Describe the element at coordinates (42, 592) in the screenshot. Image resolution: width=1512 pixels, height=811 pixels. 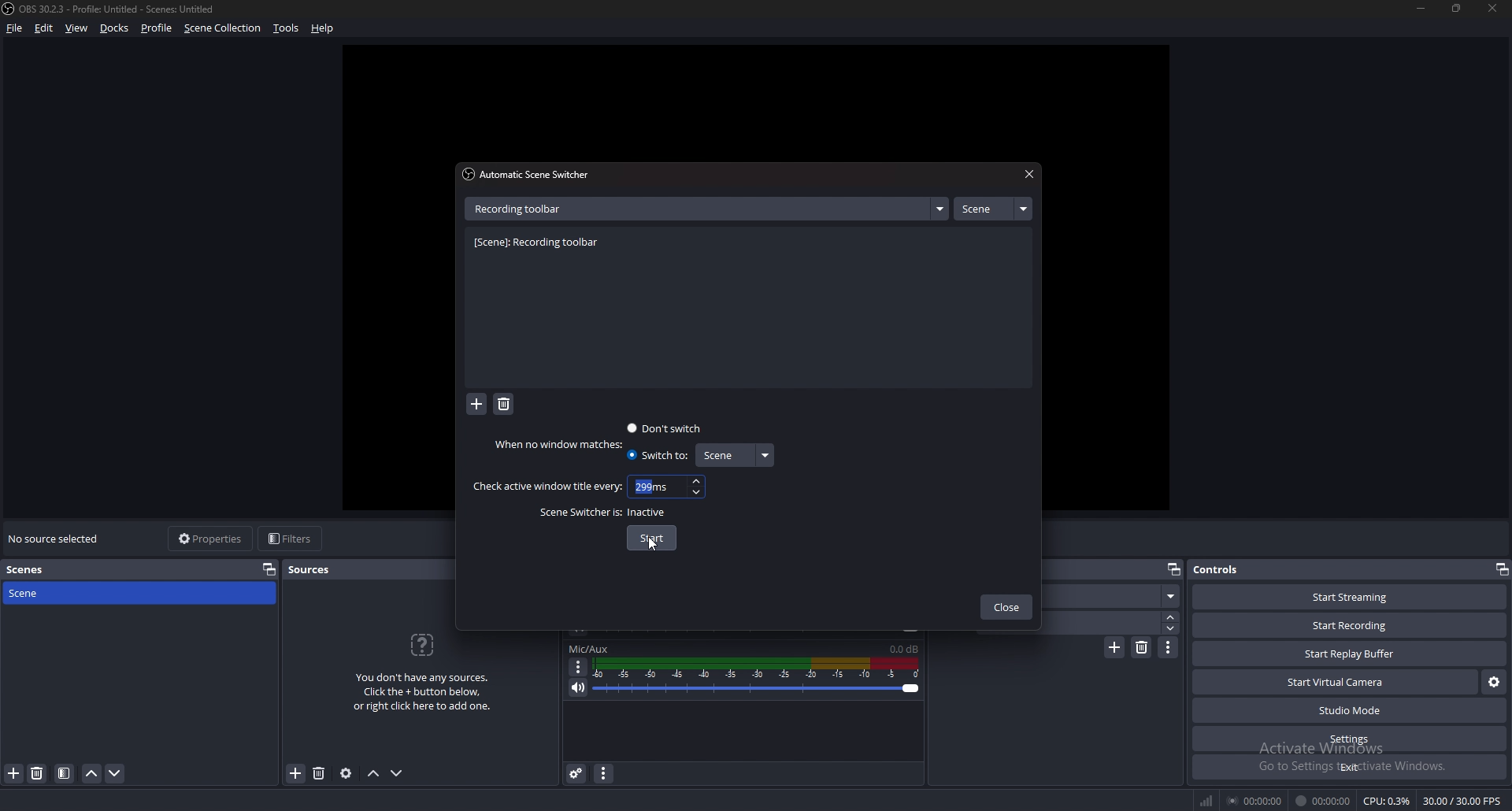
I see `scene` at that location.